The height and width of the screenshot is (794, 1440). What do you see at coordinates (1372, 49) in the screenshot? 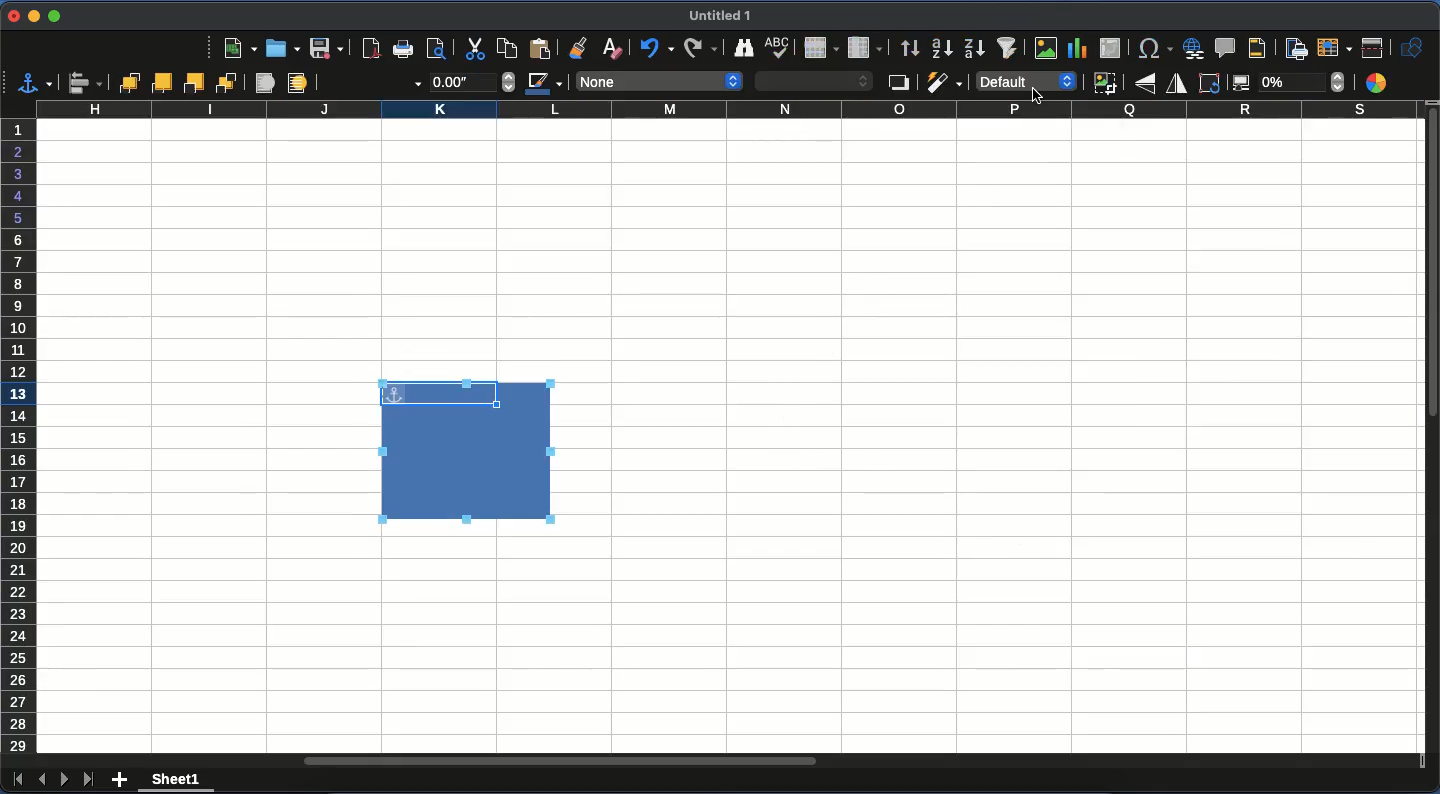
I see `split window` at bounding box center [1372, 49].